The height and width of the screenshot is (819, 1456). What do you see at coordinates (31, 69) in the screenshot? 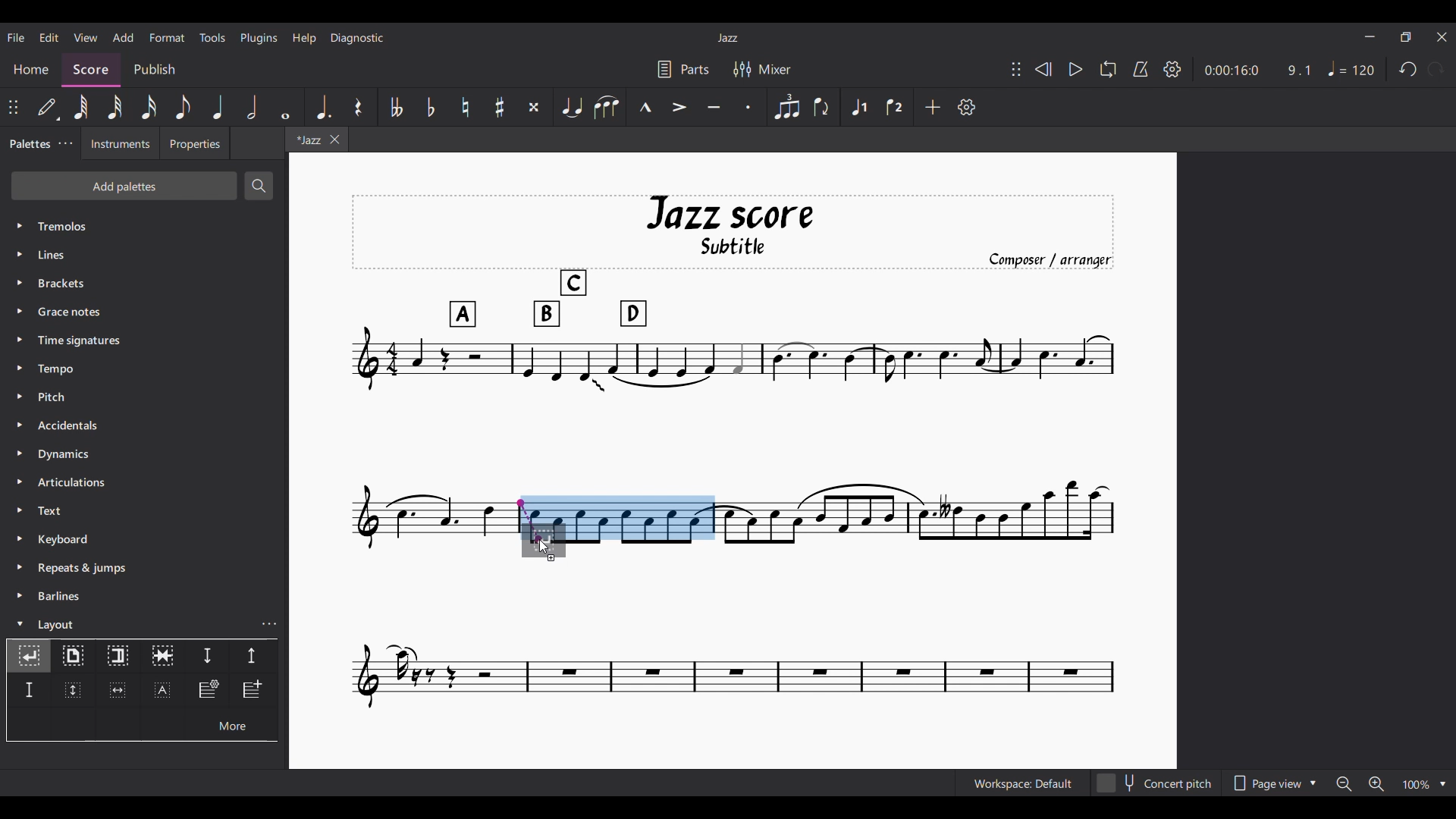
I see `Home section` at bounding box center [31, 69].